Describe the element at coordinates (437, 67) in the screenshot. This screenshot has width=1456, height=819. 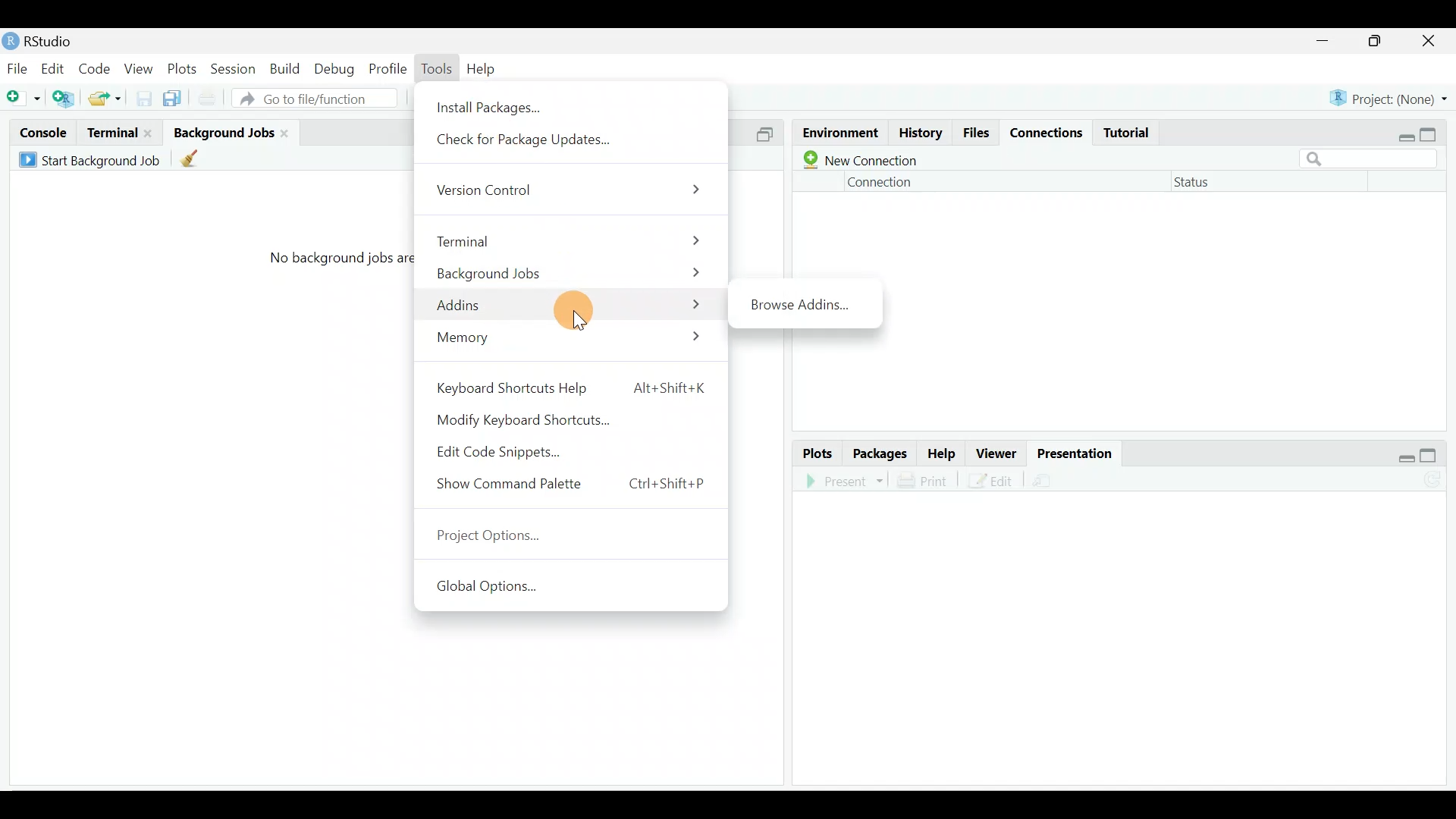
I see `Tools` at that location.